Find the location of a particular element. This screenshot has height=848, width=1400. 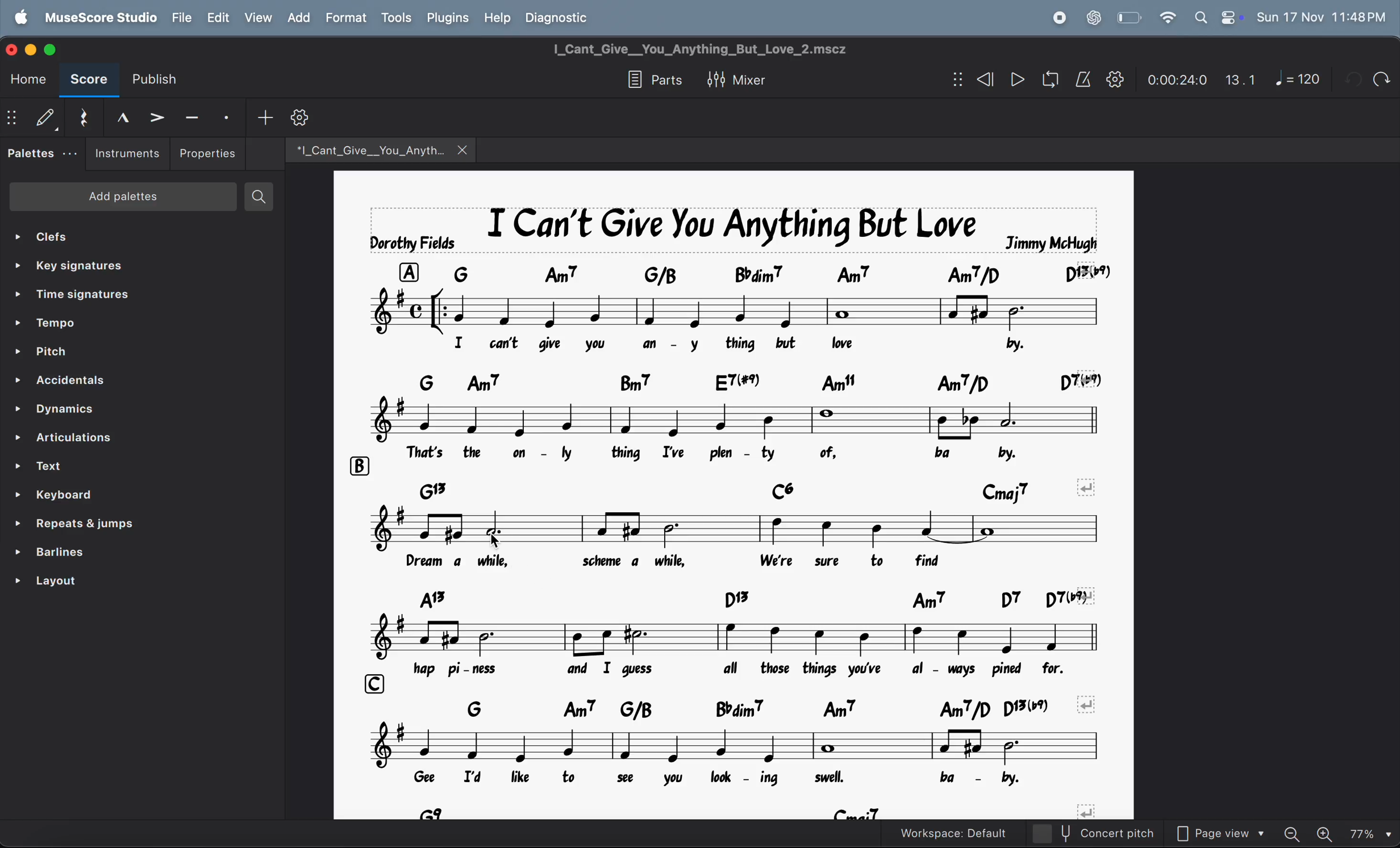

tenuto is located at coordinates (195, 116).